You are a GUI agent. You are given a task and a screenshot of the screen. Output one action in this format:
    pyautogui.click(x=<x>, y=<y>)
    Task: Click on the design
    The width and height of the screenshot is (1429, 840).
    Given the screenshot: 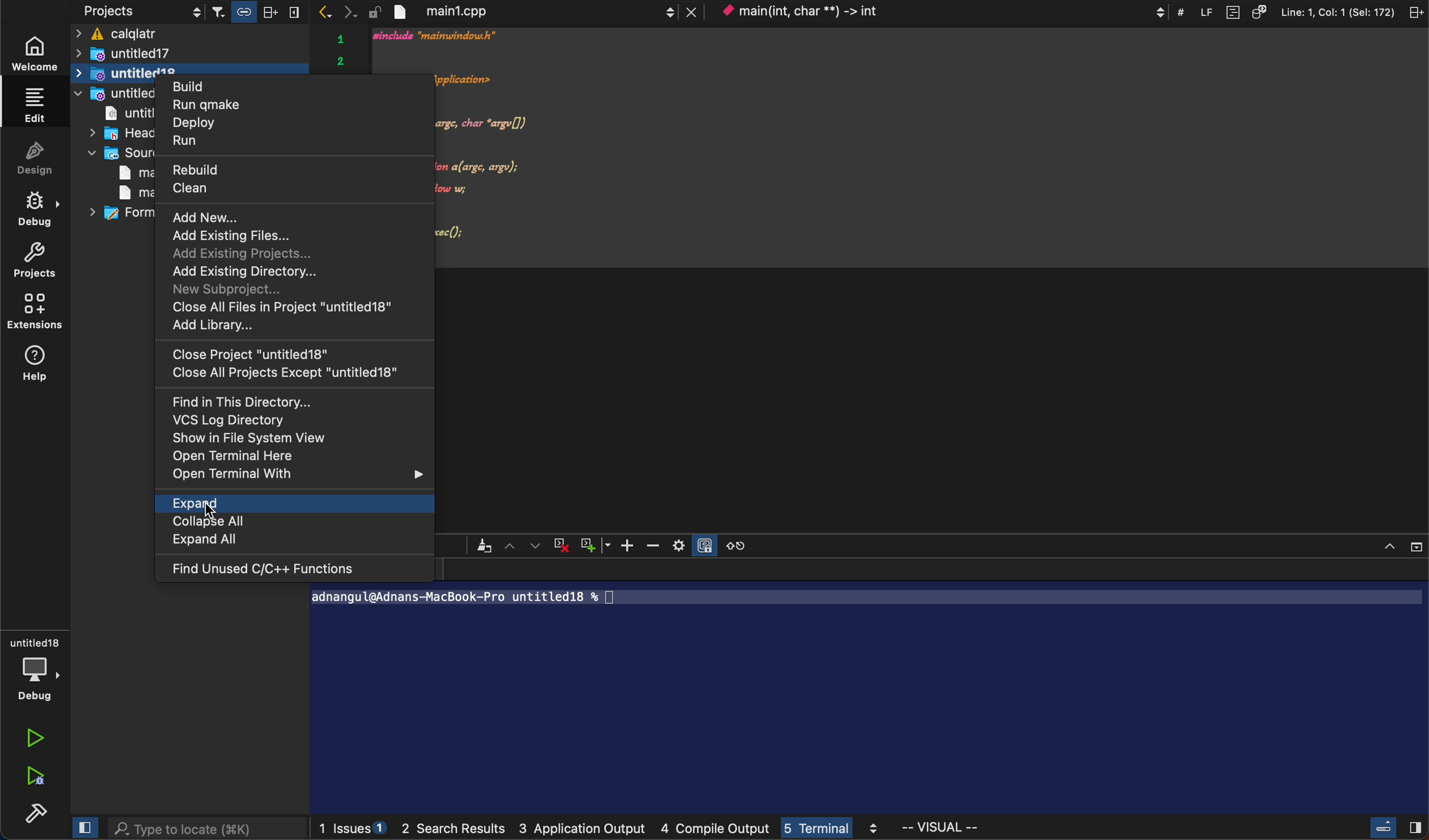 What is the action you would take?
    pyautogui.click(x=34, y=158)
    